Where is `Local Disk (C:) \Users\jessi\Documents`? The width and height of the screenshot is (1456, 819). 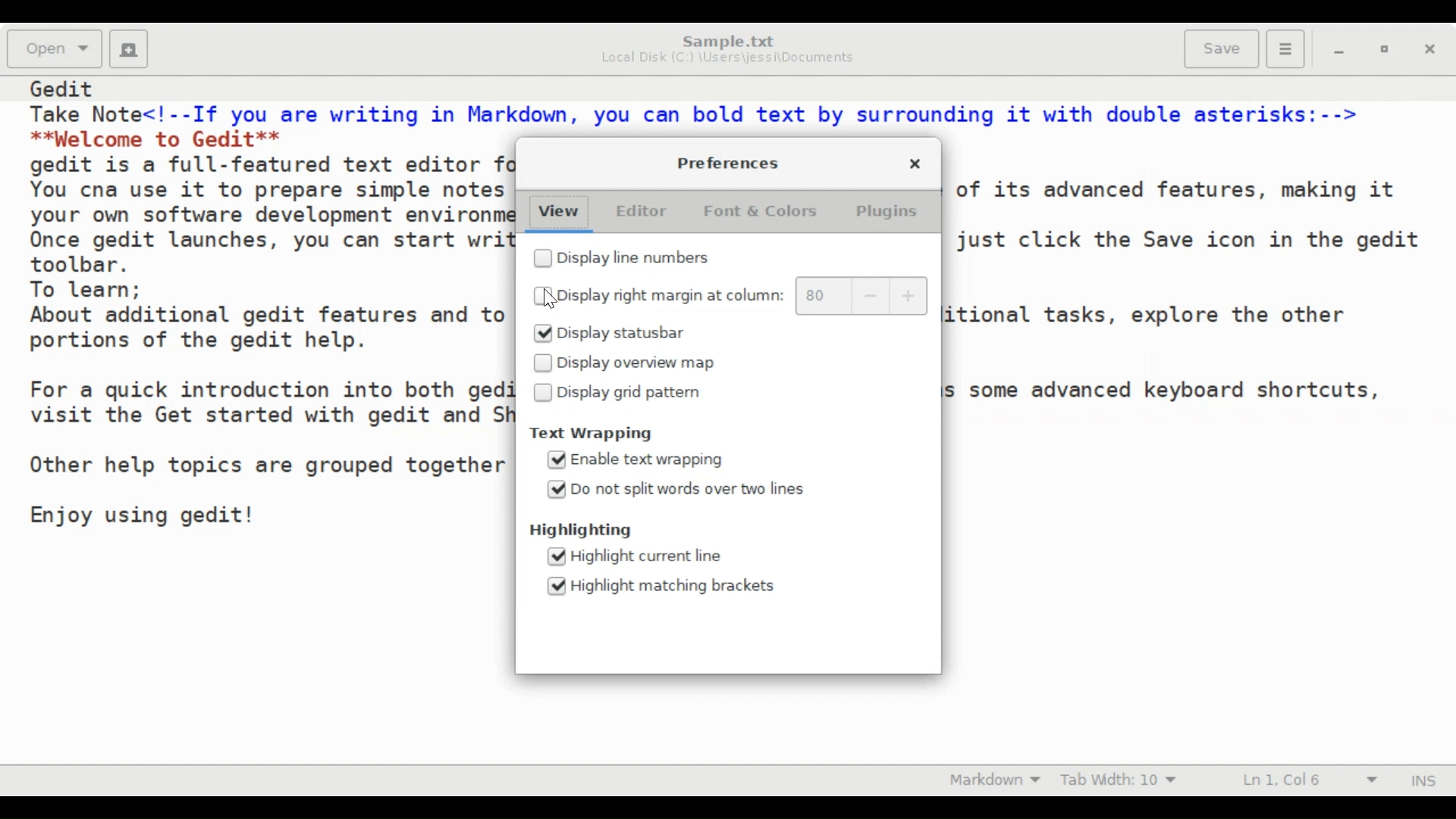
Local Disk (C:) \Users\jessi\Documents is located at coordinates (728, 59).